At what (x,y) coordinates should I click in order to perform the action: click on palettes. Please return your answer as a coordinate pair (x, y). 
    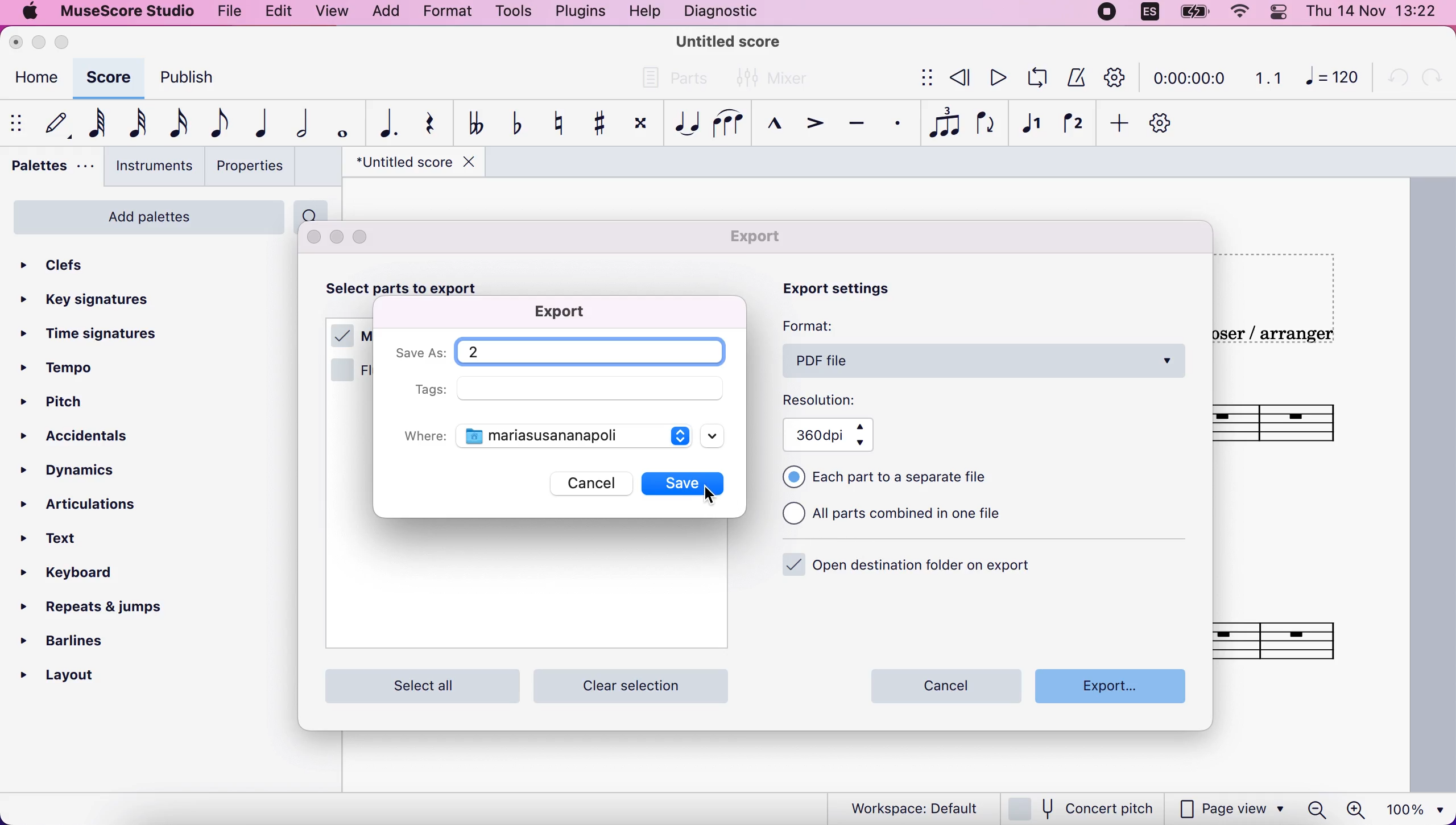
    Looking at the image, I should click on (49, 169).